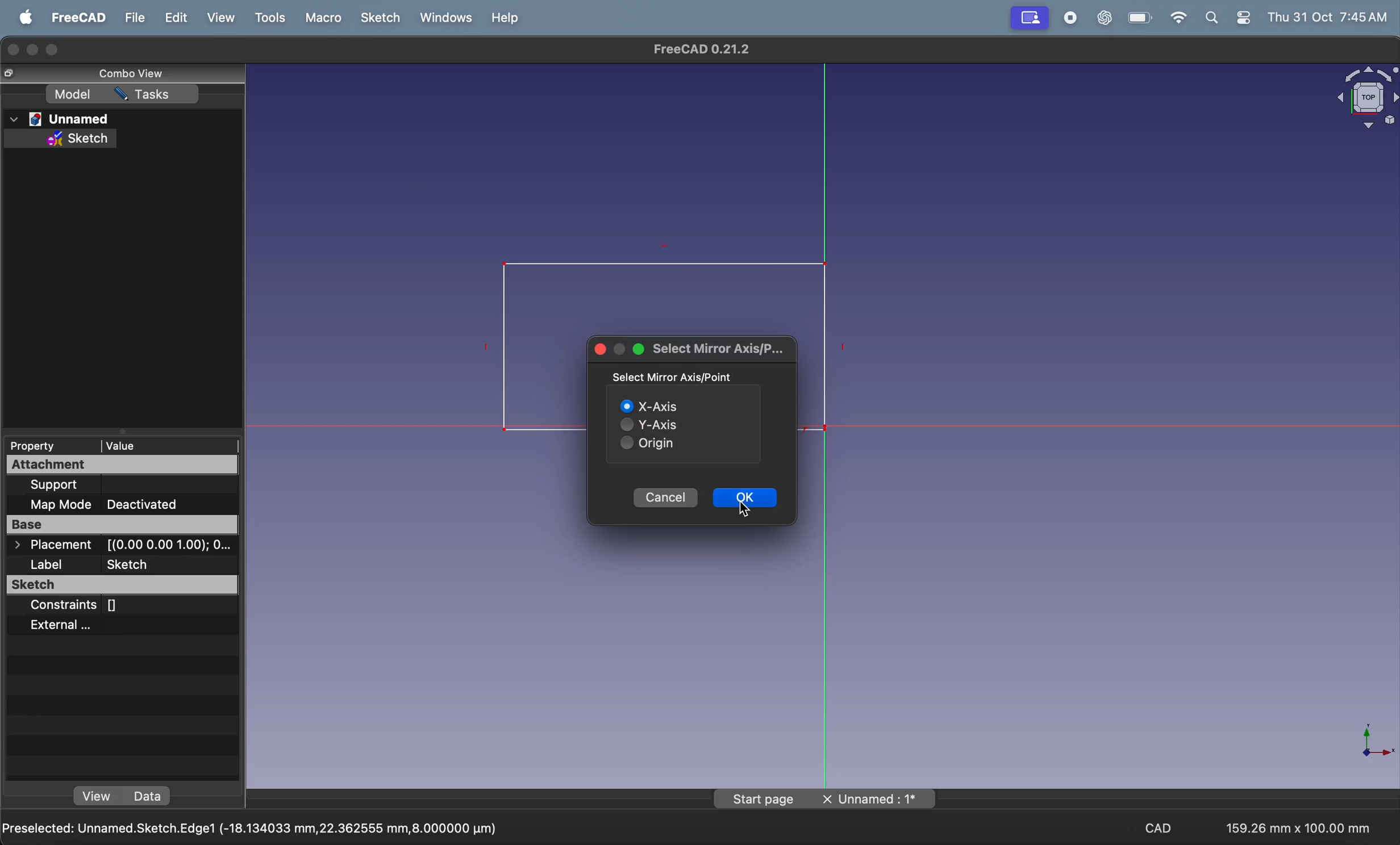  What do you see at coordinates (877, 799) in the screenshot?
I see `unnamed ` at bounding box center [877, 799].